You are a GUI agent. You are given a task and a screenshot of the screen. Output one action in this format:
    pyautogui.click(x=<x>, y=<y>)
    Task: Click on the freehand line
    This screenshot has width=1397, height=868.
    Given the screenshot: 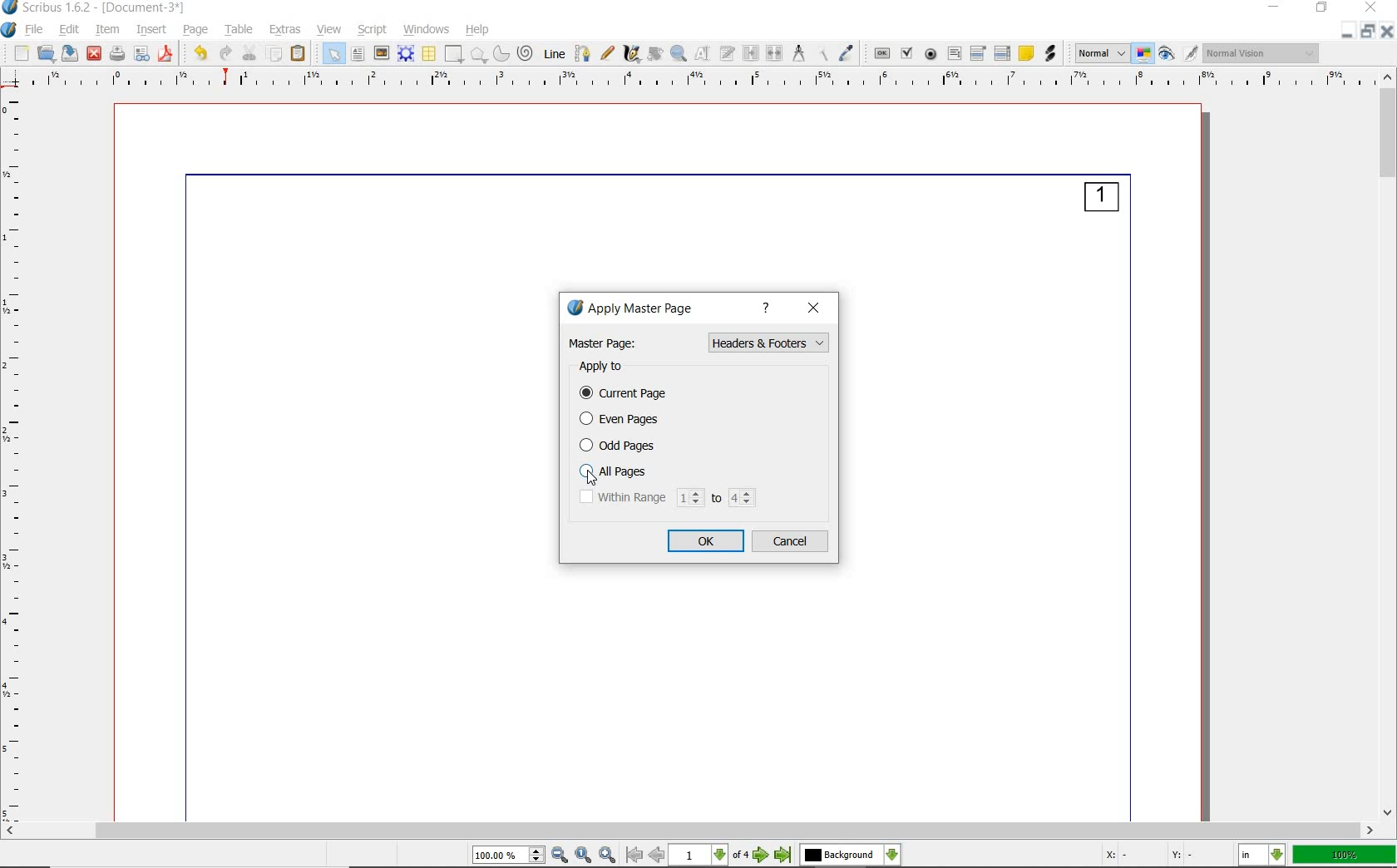 What is the action you would take?
    pyautogui.click(x=607, y=54)
    